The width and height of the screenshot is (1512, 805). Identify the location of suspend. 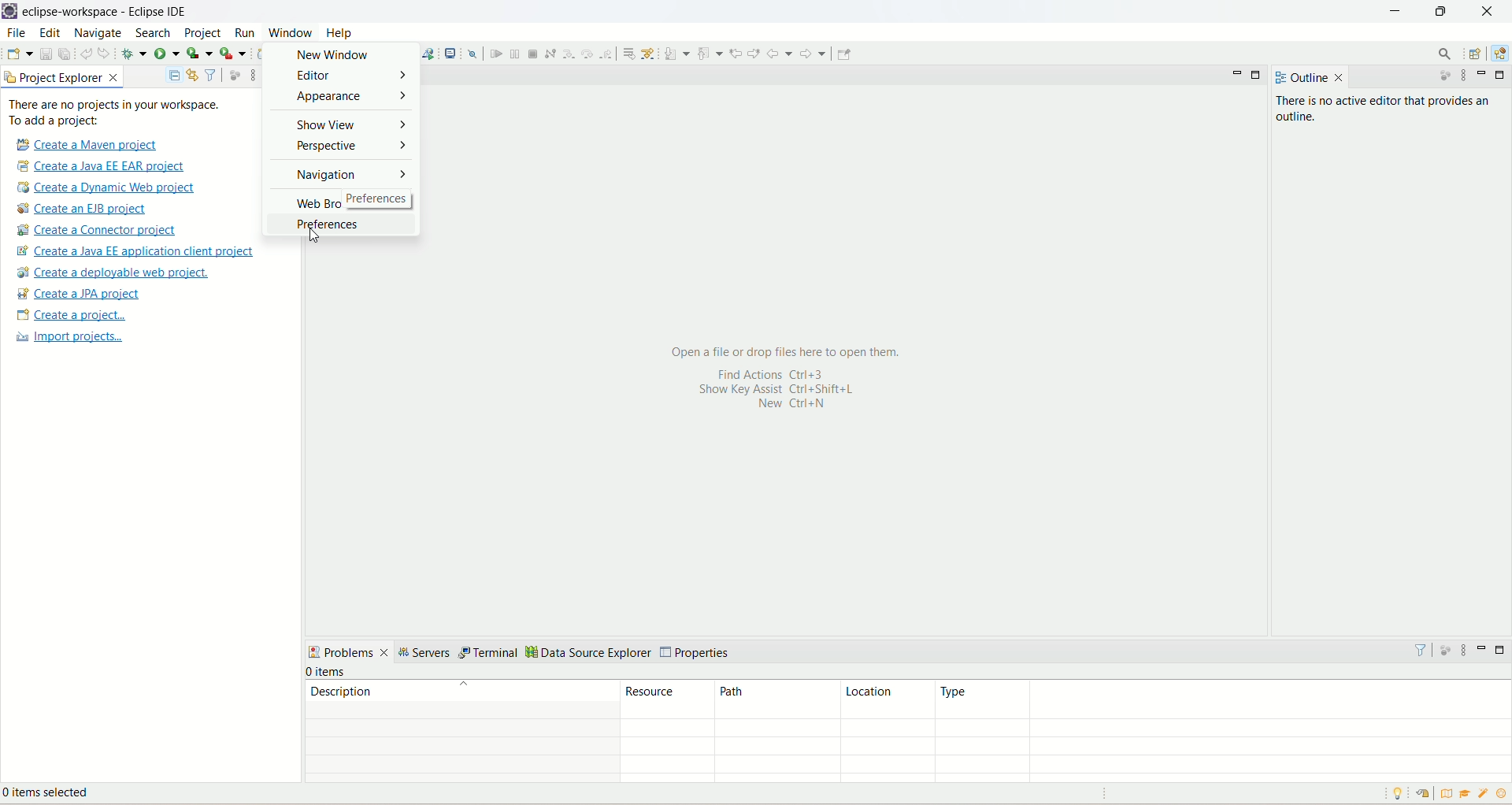
(513, 52).